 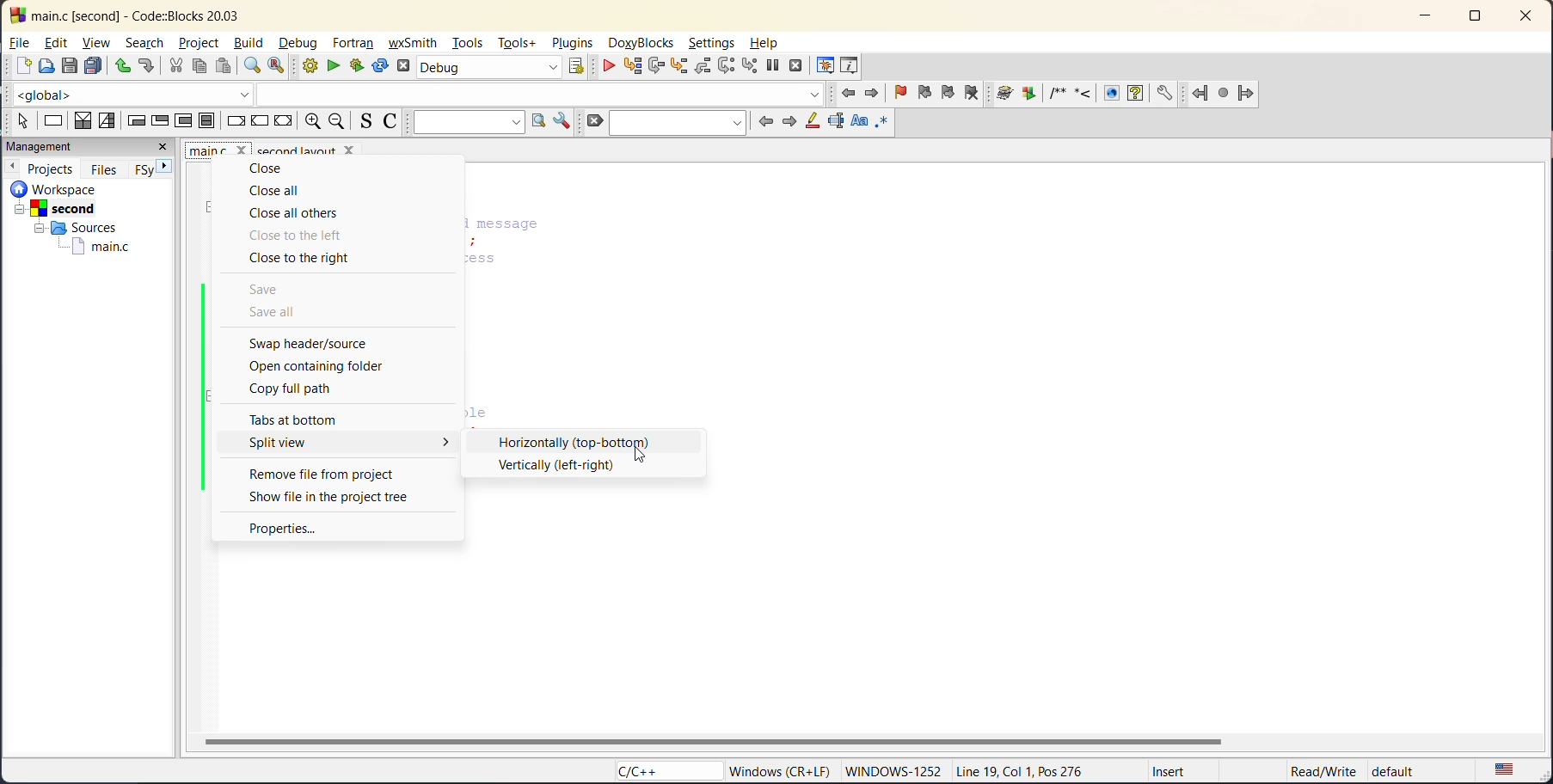 I want to click on show options window, so click(x=563, y=119).